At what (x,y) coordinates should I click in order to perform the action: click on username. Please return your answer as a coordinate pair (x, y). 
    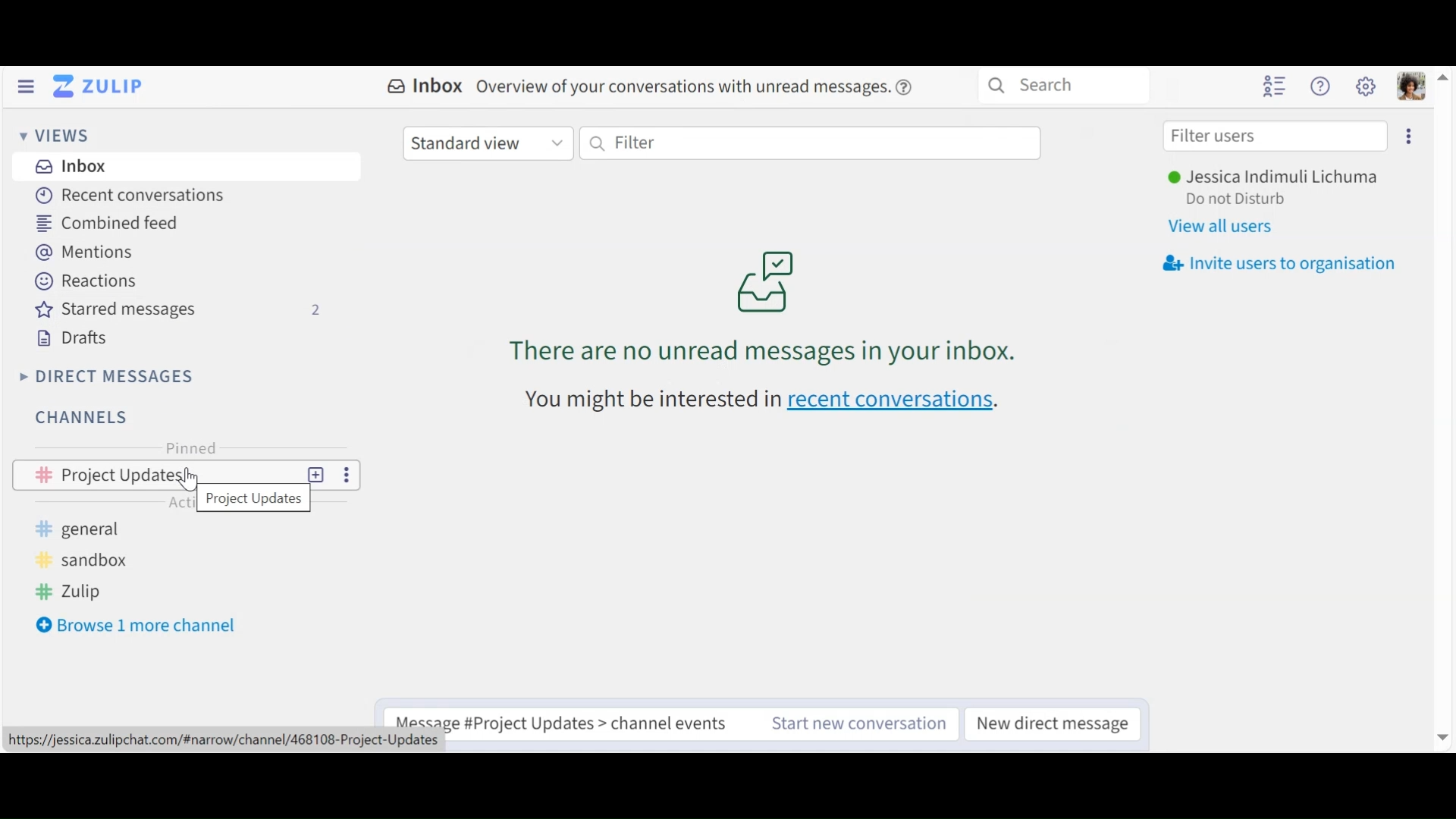
    Looking at the image, I should click on (1275, 175).